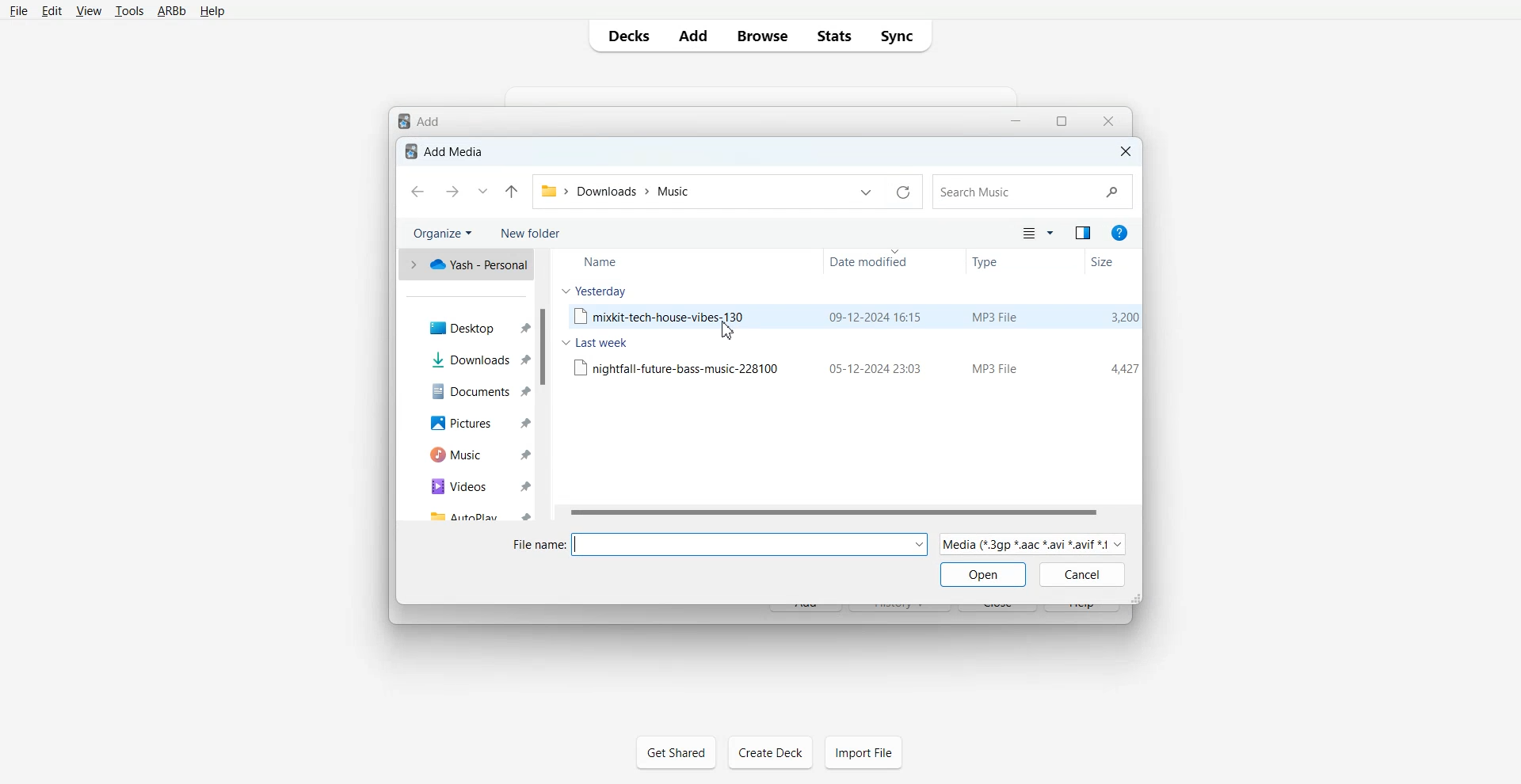 The image size is (1521, 784). I want to click on Pictures, so click(477, 422).